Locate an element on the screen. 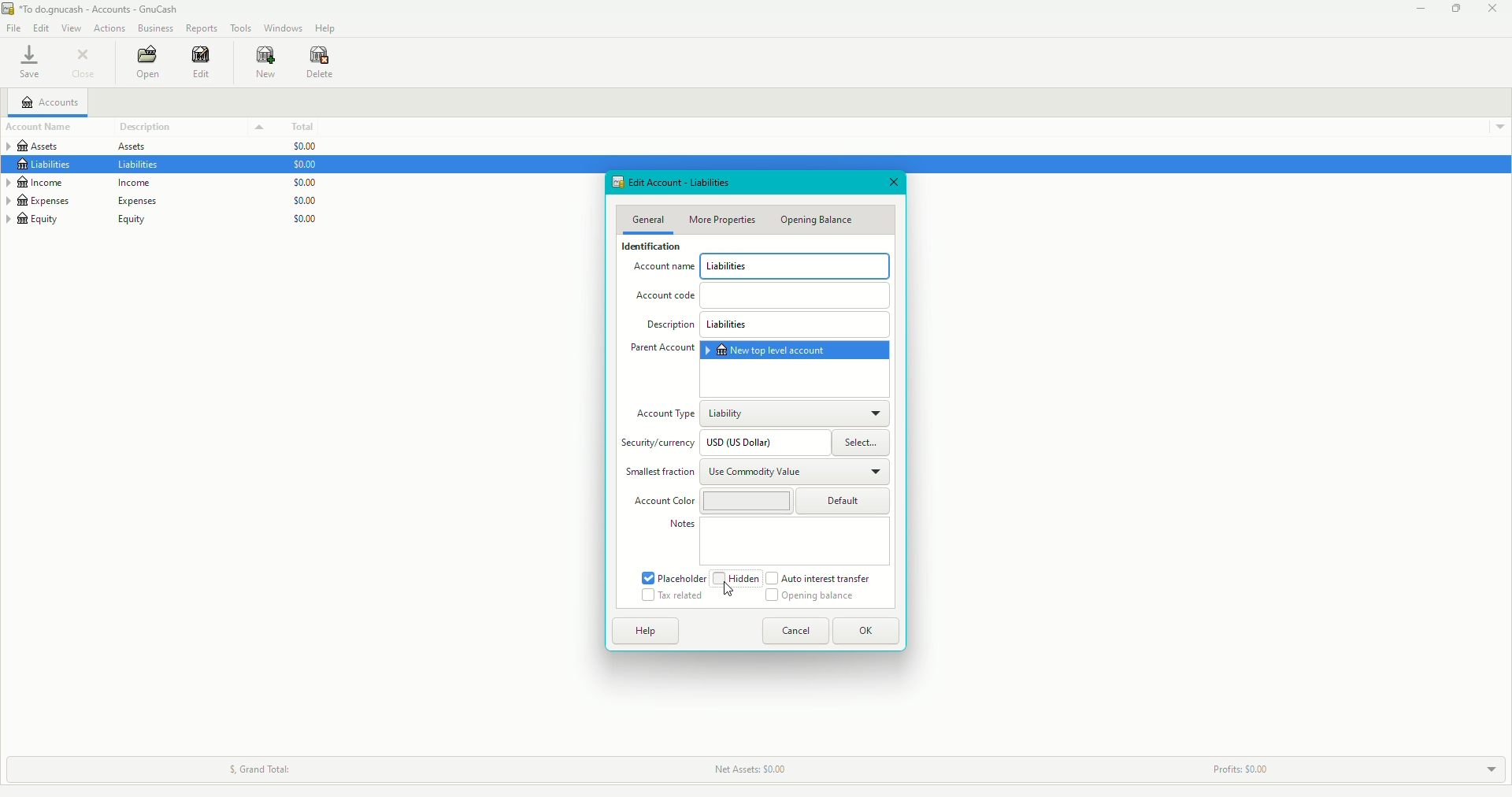  Parent Account is located at coordinates (661, 349).